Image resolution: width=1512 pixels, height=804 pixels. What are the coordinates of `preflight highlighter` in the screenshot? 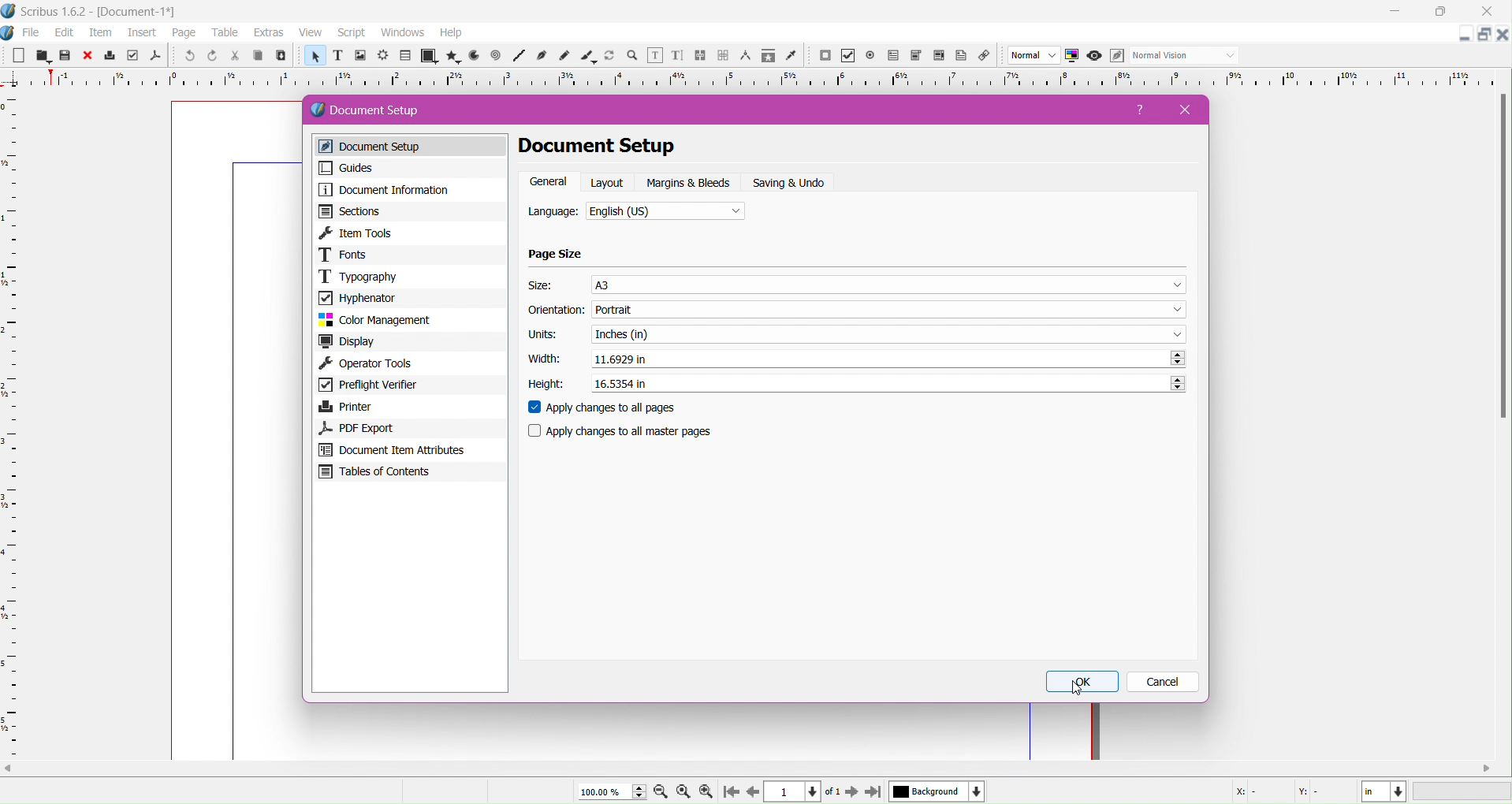 It's located at (132, 56).